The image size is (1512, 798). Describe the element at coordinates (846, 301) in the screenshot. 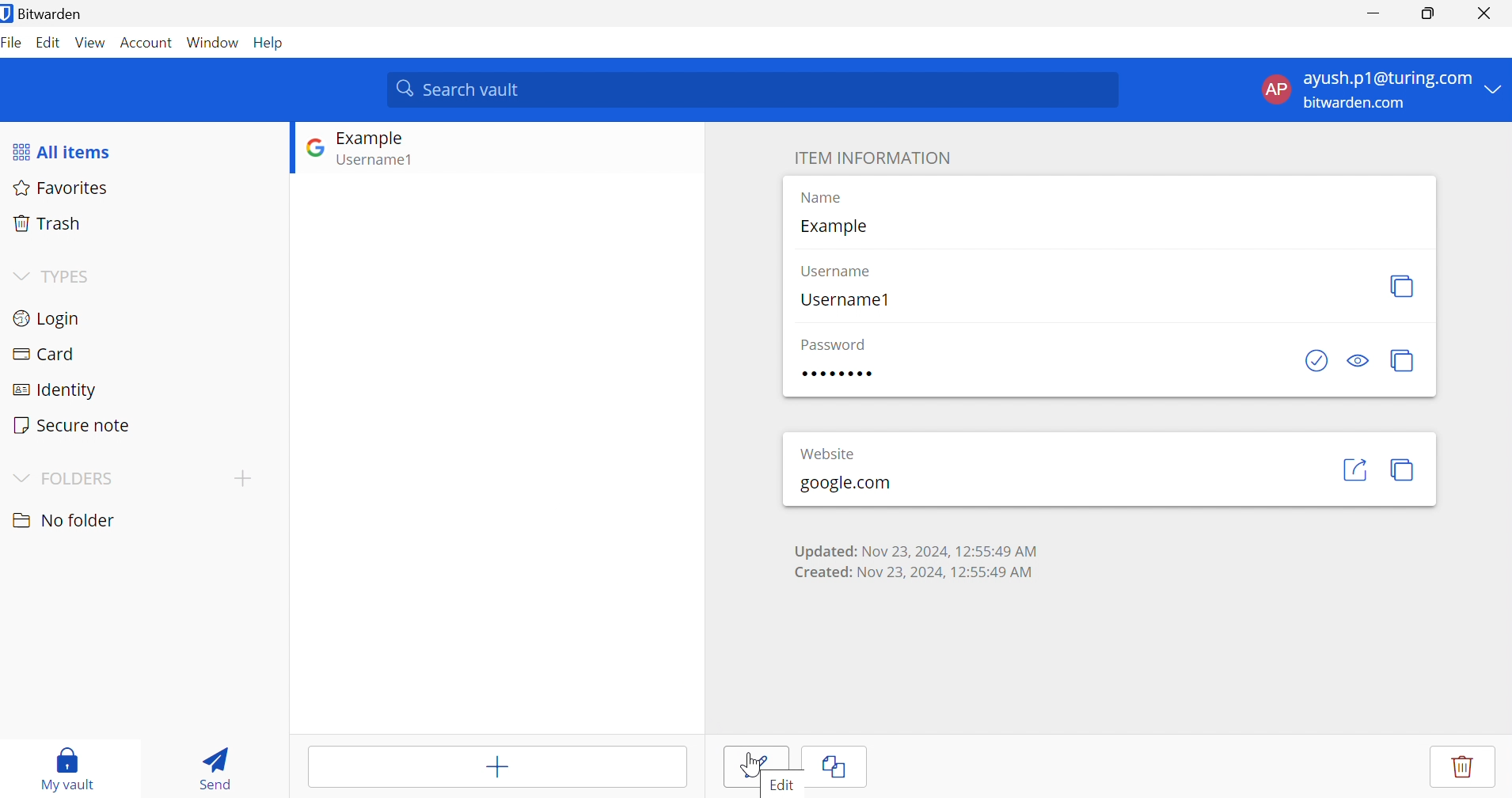

I see `Username1` at that location.